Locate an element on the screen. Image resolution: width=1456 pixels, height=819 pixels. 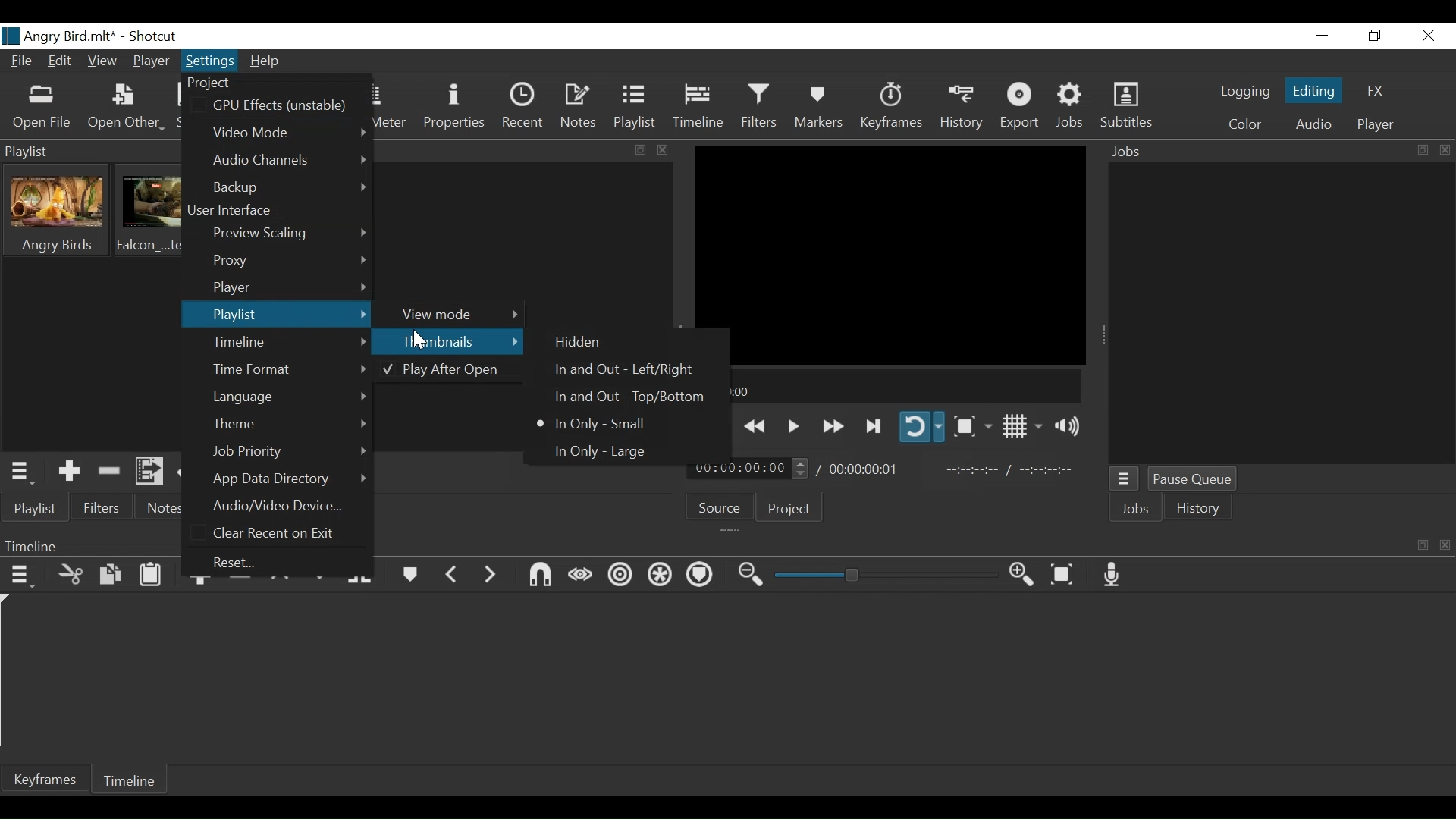
Project is located at coordinates (227, 83).